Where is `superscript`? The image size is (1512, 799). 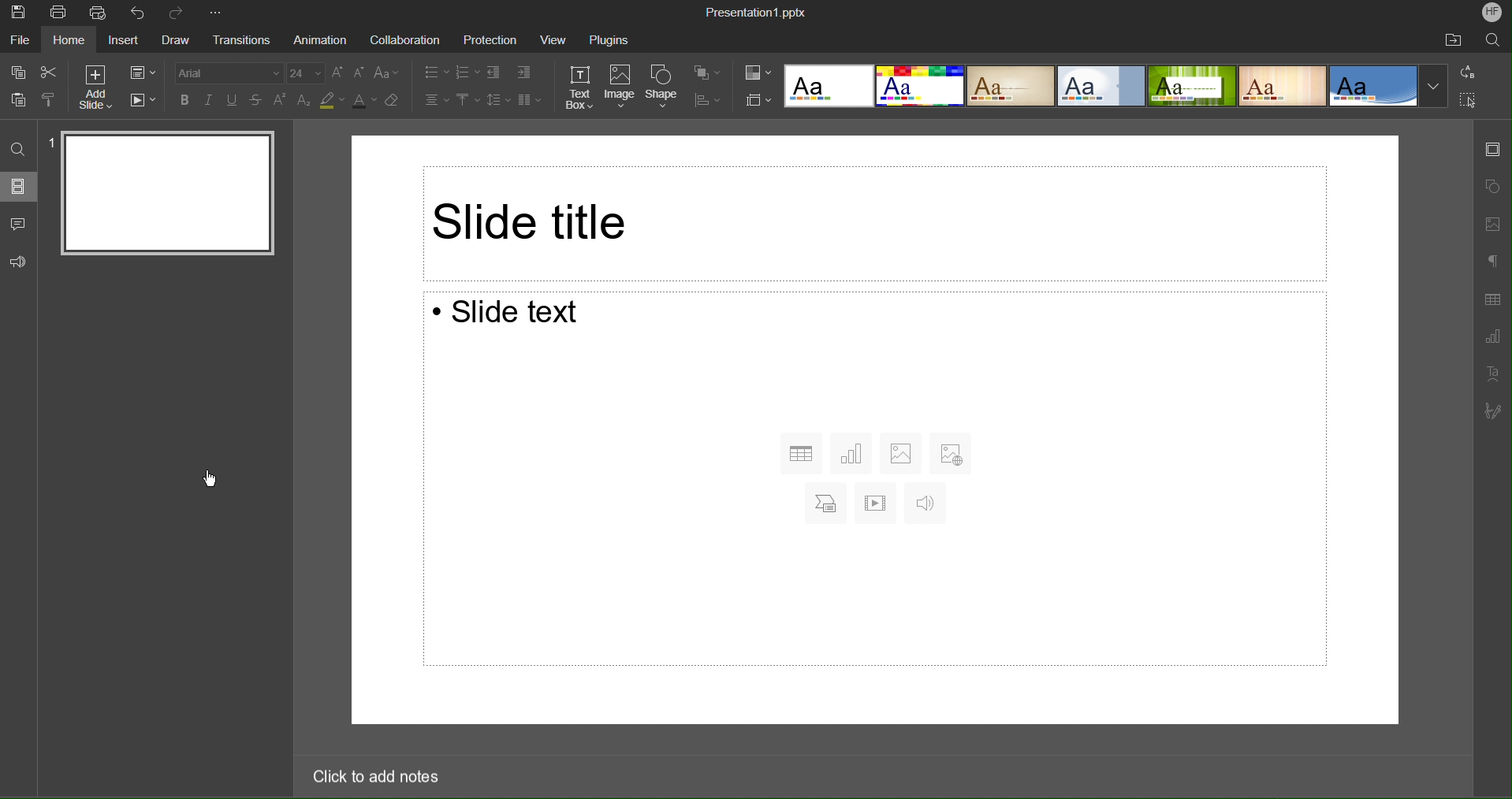 superscript is located at coordinates (281, 101).